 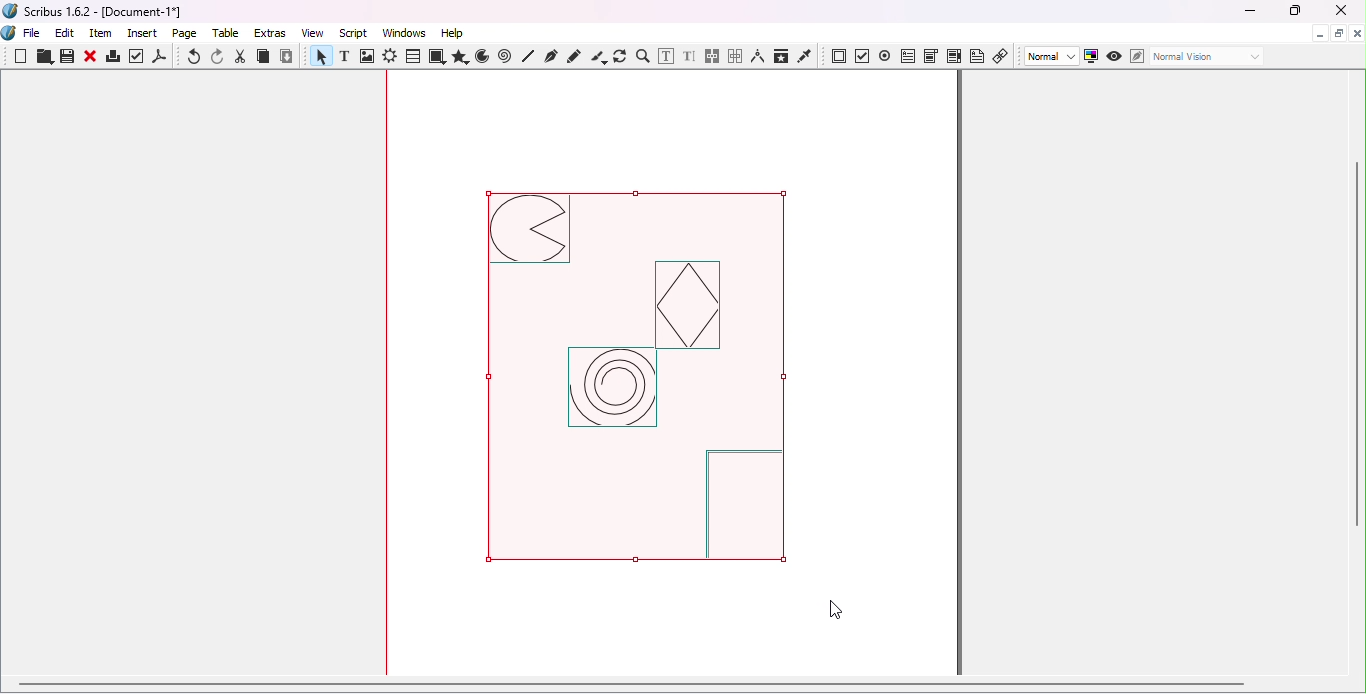 I want to click on Table, so click(x=412, y=57).